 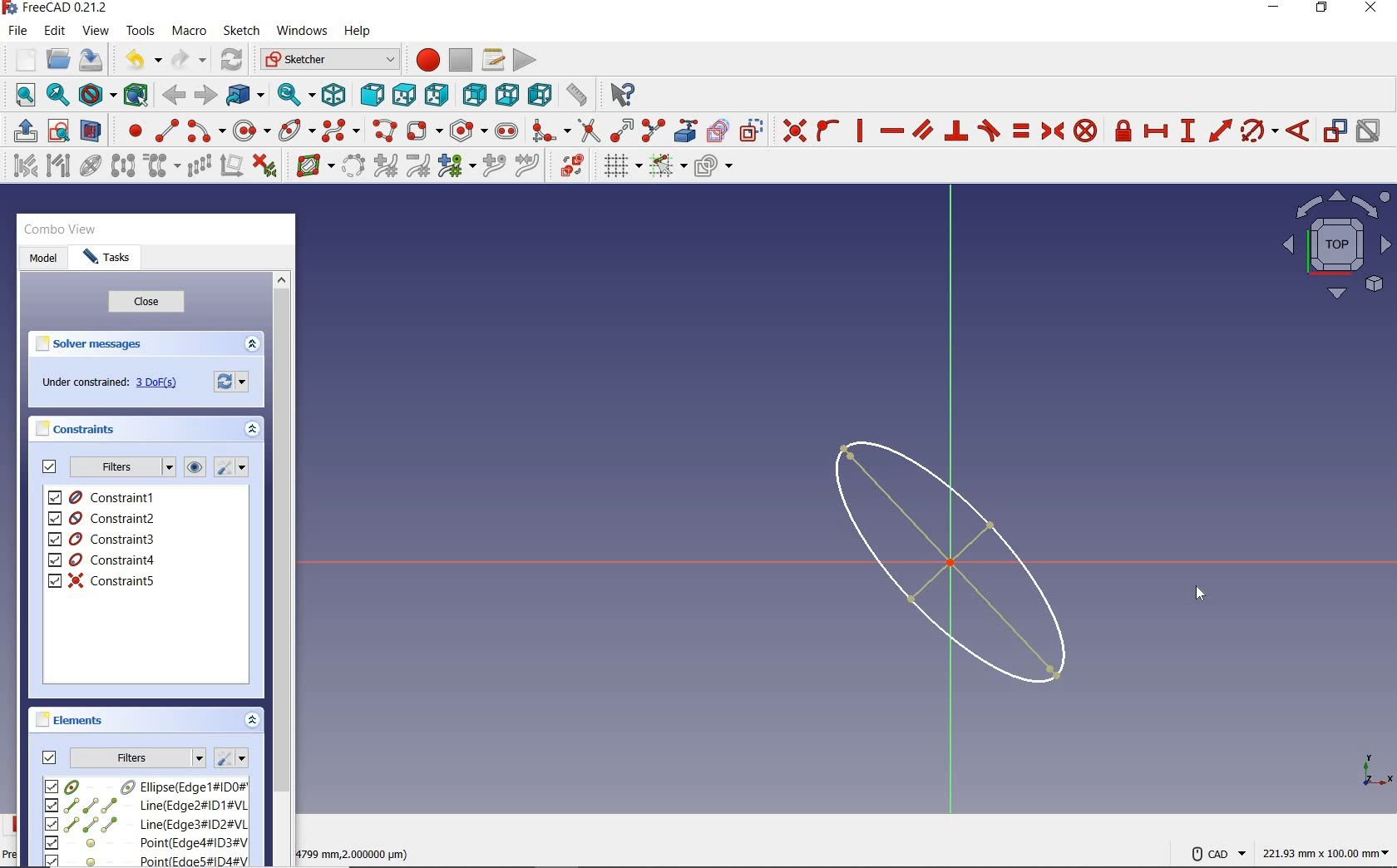 What do you see at coordinates (297, 95) in the screenshot?
I see `sync view` at bounding box center [297, 95].